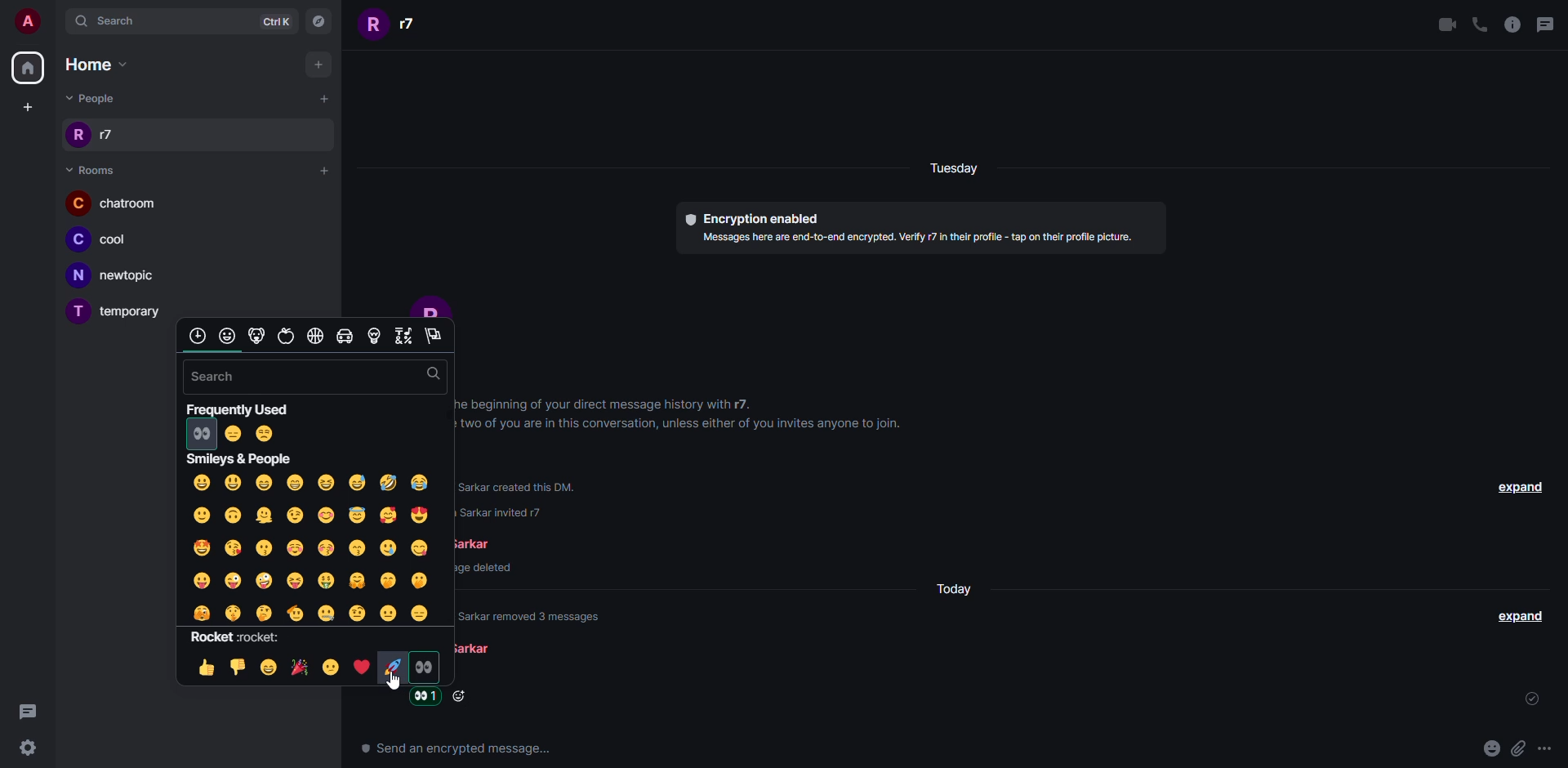  Describe the element at coordinates (425, 664) in the screenshot. I see `emoji` at that location.